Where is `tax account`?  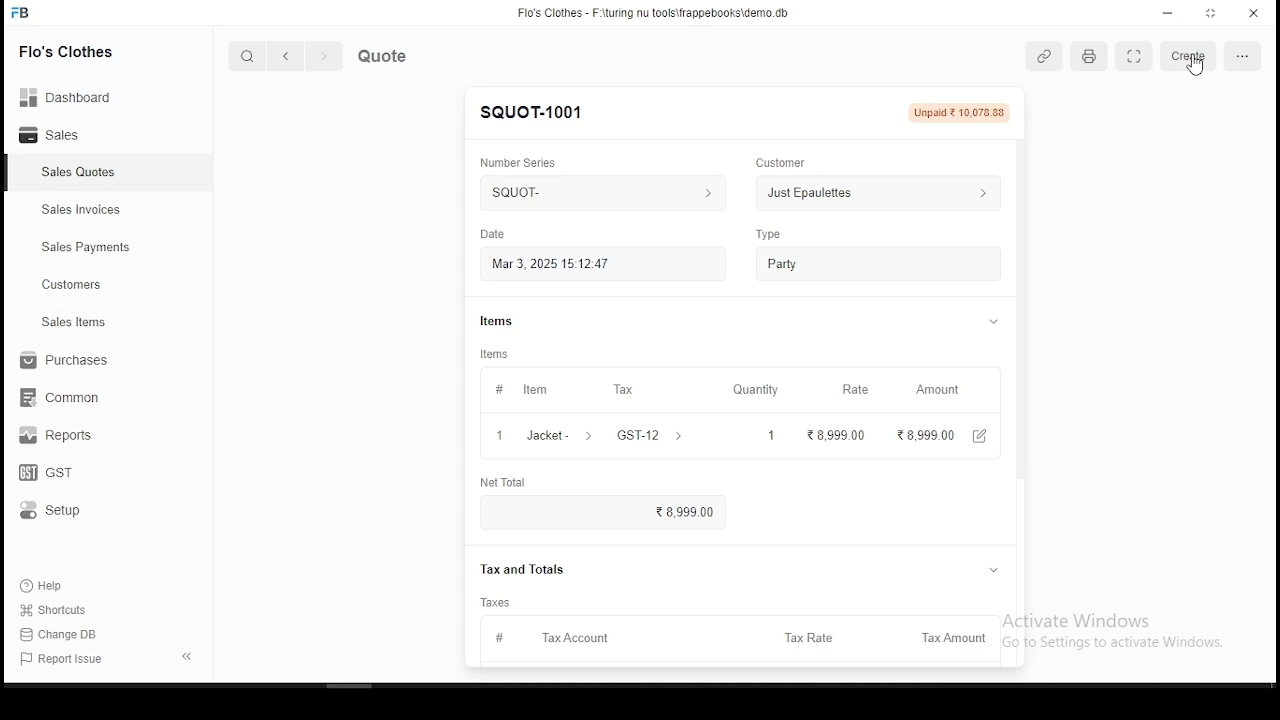 tax account is located at coordinates (558, 638).